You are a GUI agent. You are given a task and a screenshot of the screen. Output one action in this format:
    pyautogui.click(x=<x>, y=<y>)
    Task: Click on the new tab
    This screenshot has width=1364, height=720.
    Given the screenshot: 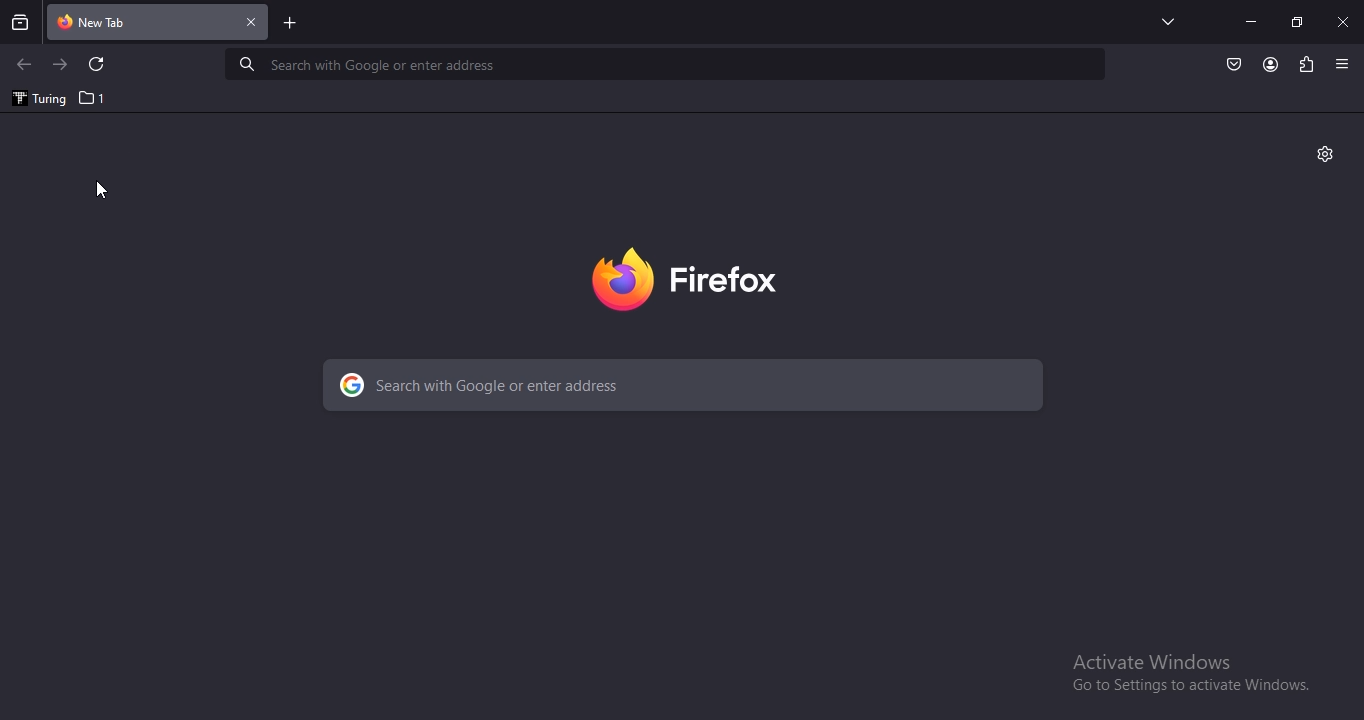 What is the action you would take?
    pyautogui.click(x=291, y=25)
    